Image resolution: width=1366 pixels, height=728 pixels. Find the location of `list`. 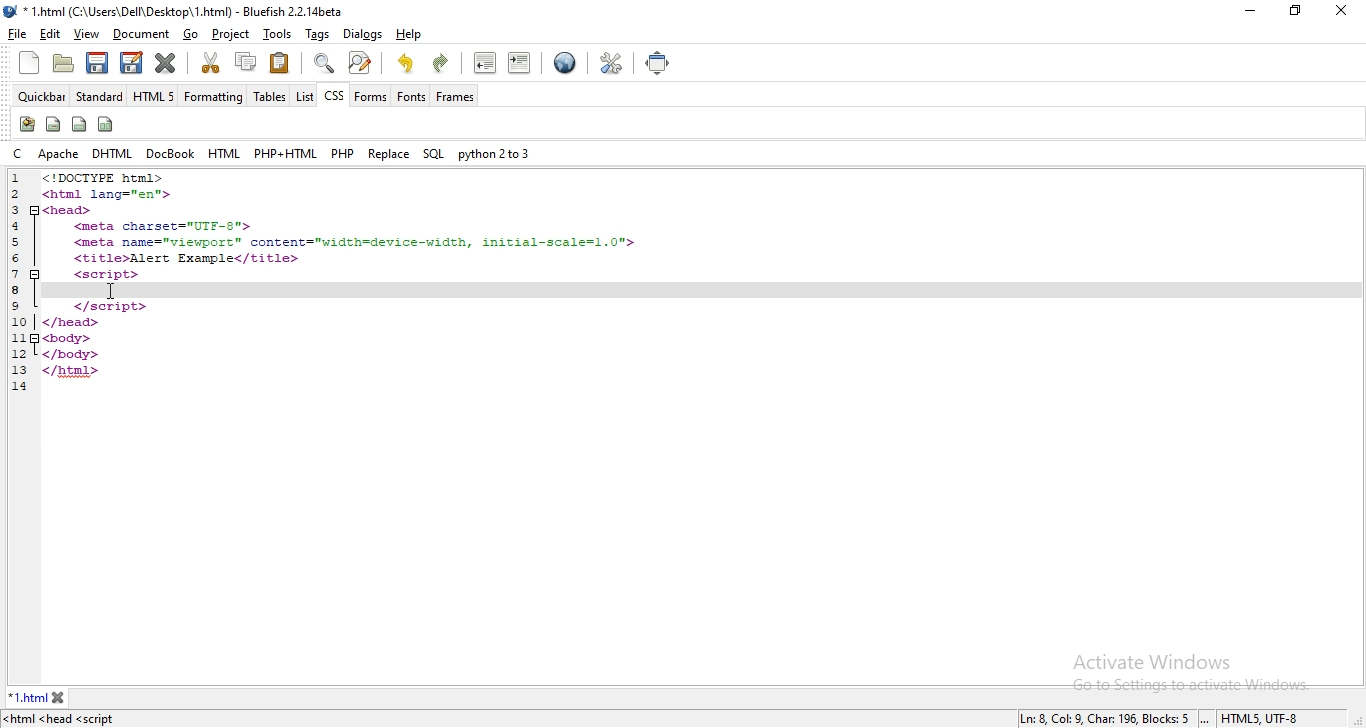

list is located at coordinates (303, 95).